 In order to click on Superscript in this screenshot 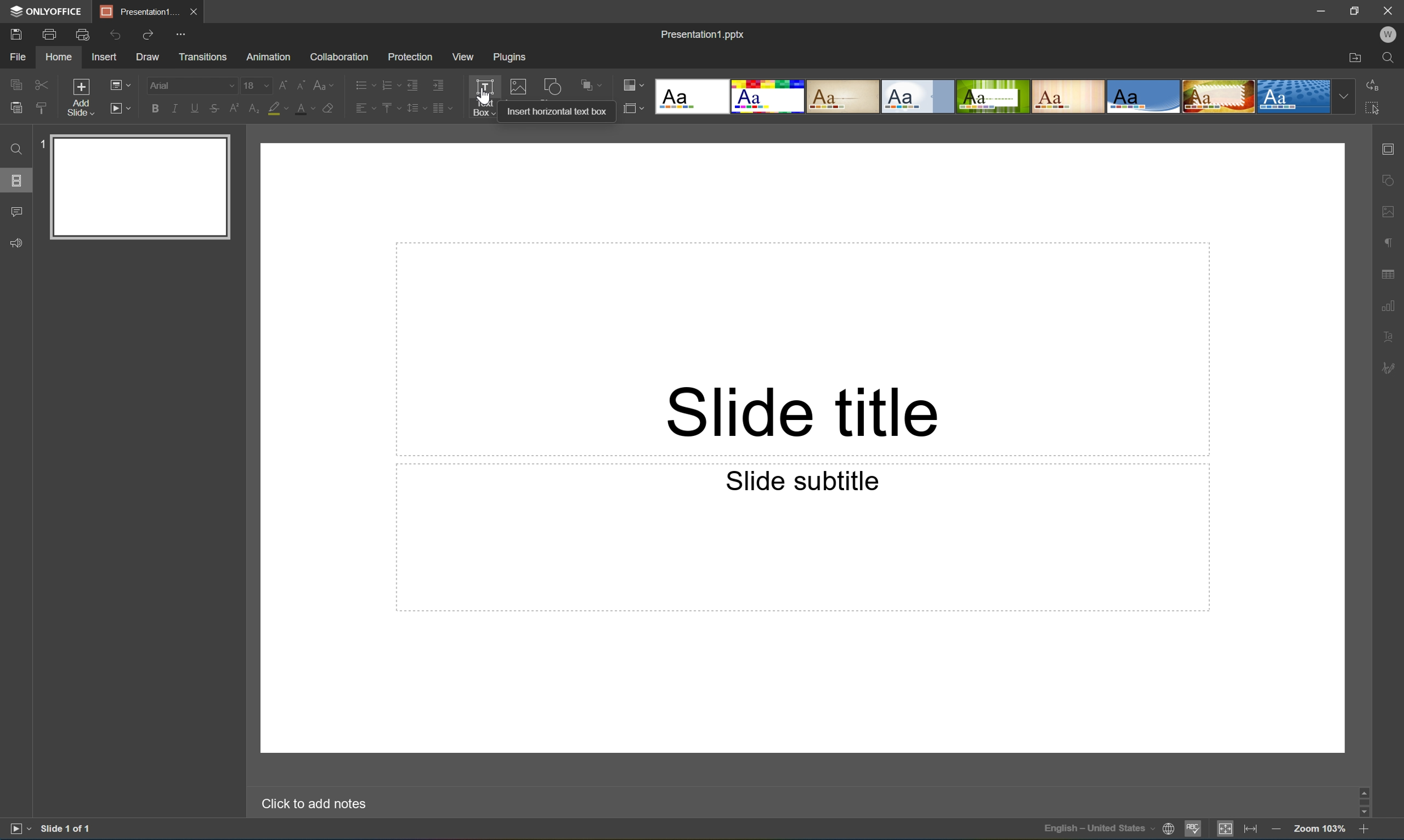, I will do `click(236, 109)`.